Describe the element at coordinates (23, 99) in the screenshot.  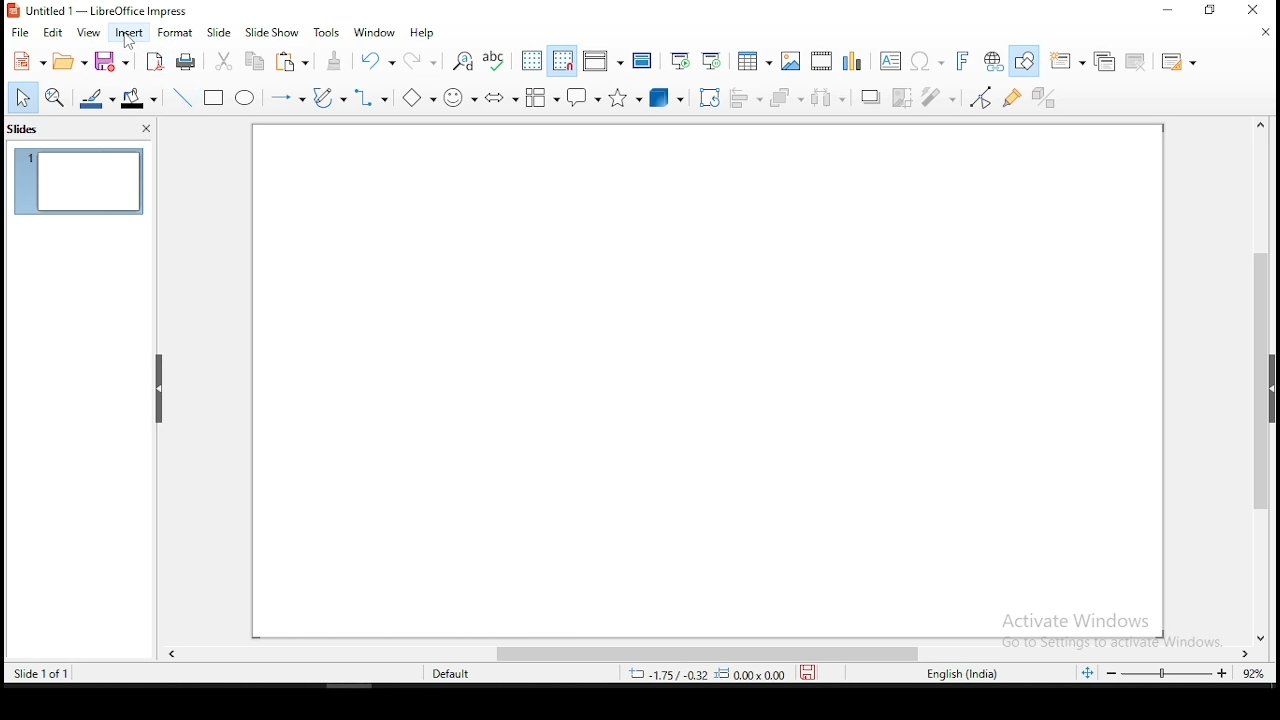
I see `select tool` at that location.